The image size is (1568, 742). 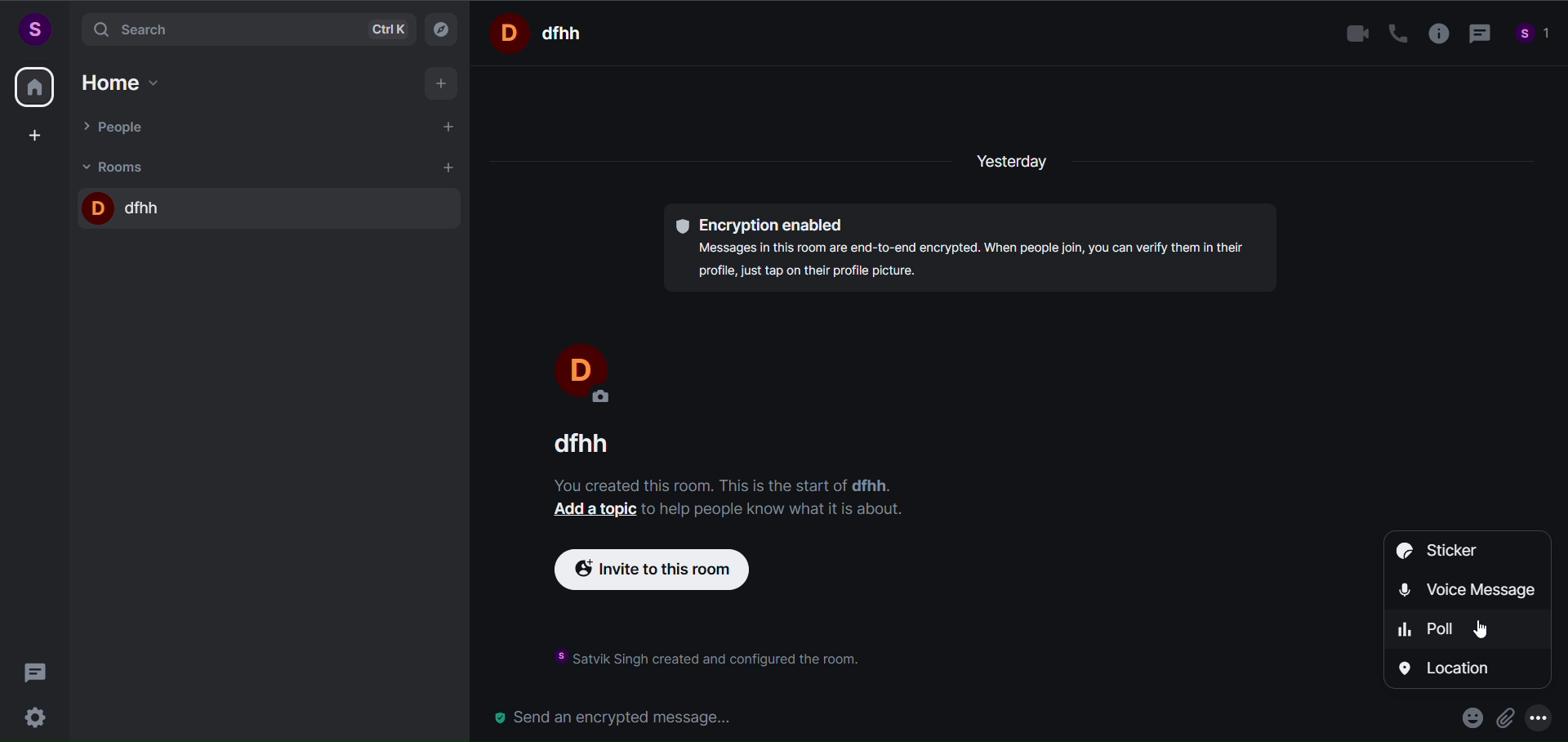 I want to click on text, so click(x=774, y=511).